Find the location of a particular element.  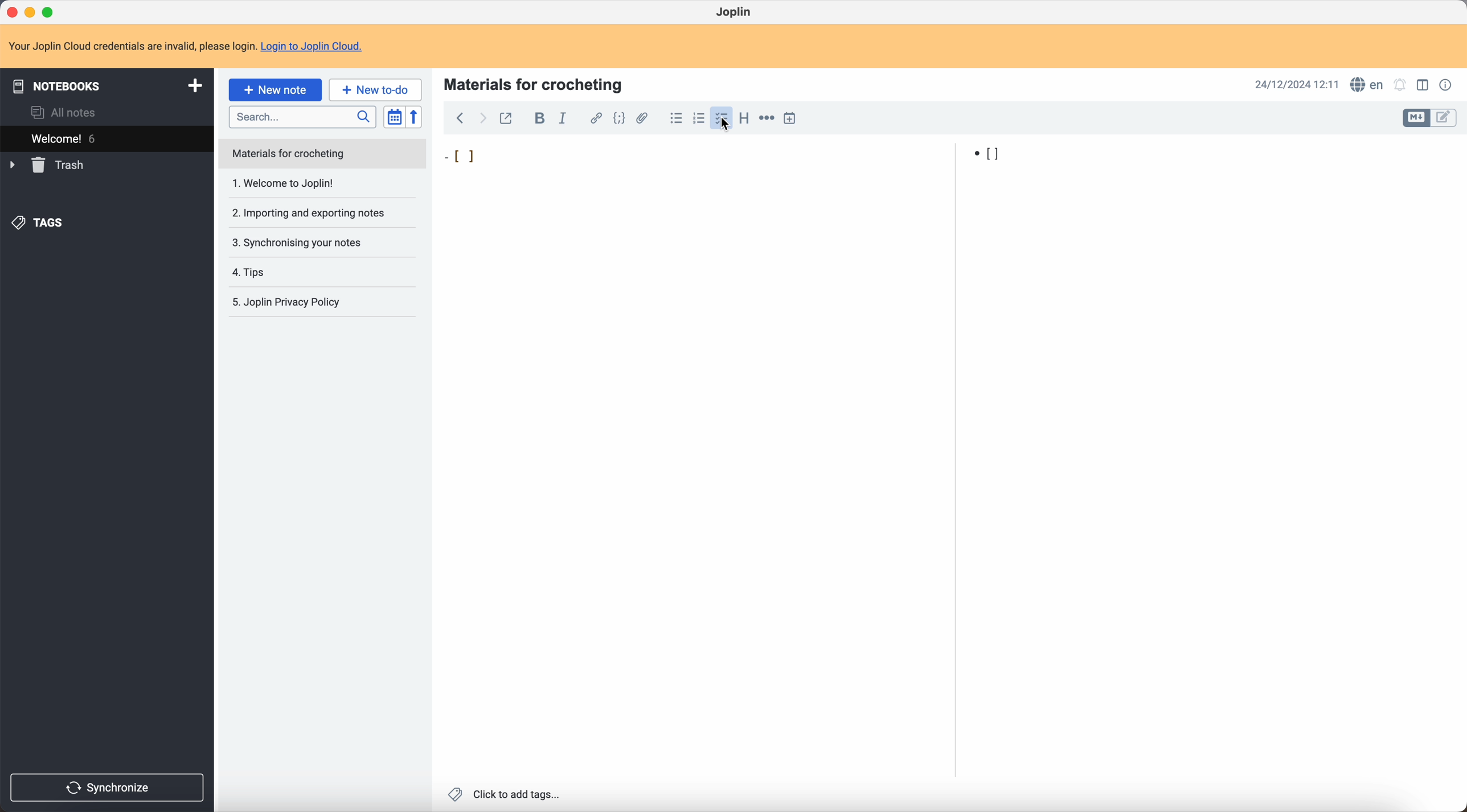

importing and exporting notes is located at coordinates (315, 212).